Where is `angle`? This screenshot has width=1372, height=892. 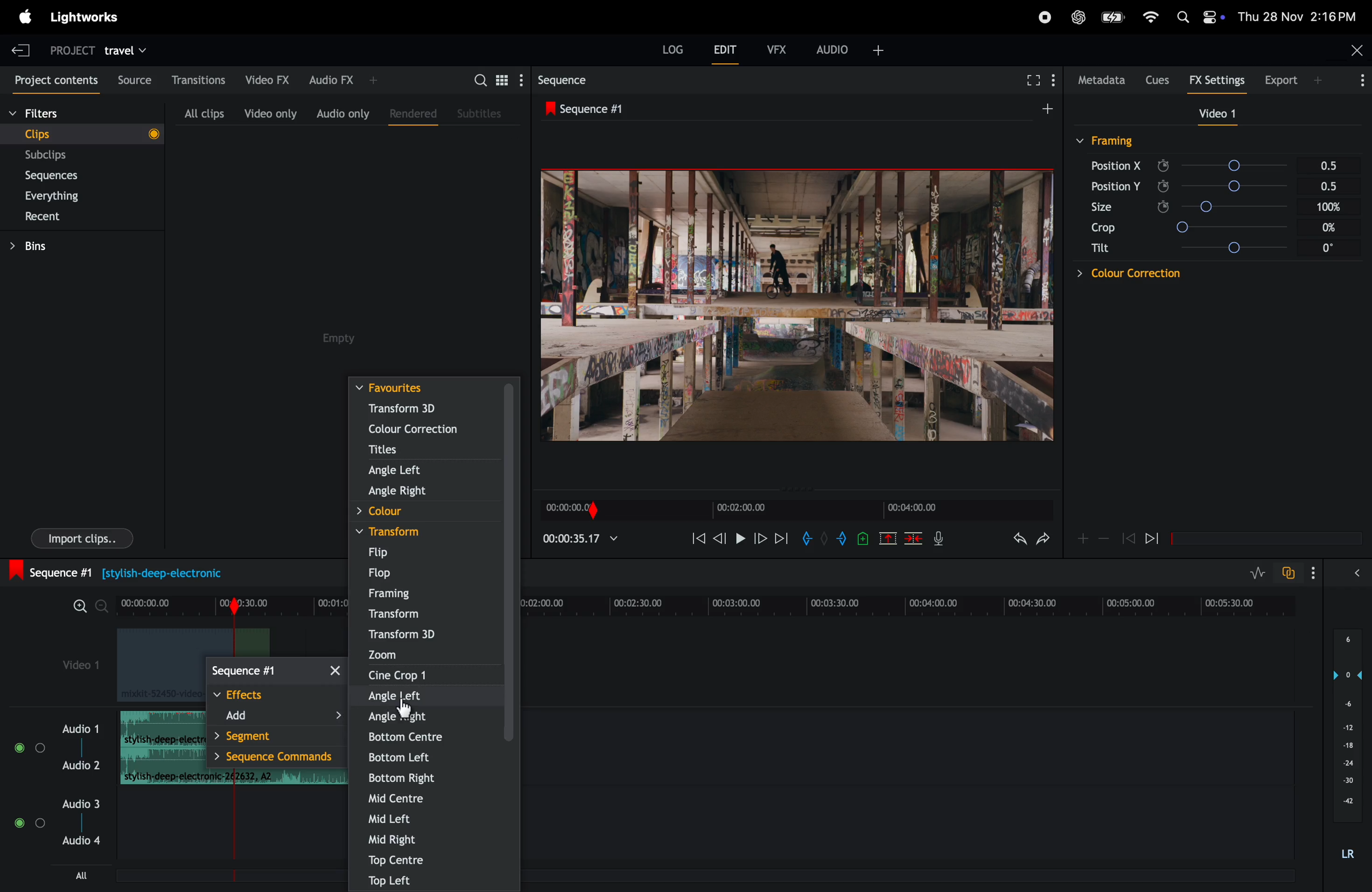
angle is located at coordinates (1254, 207).